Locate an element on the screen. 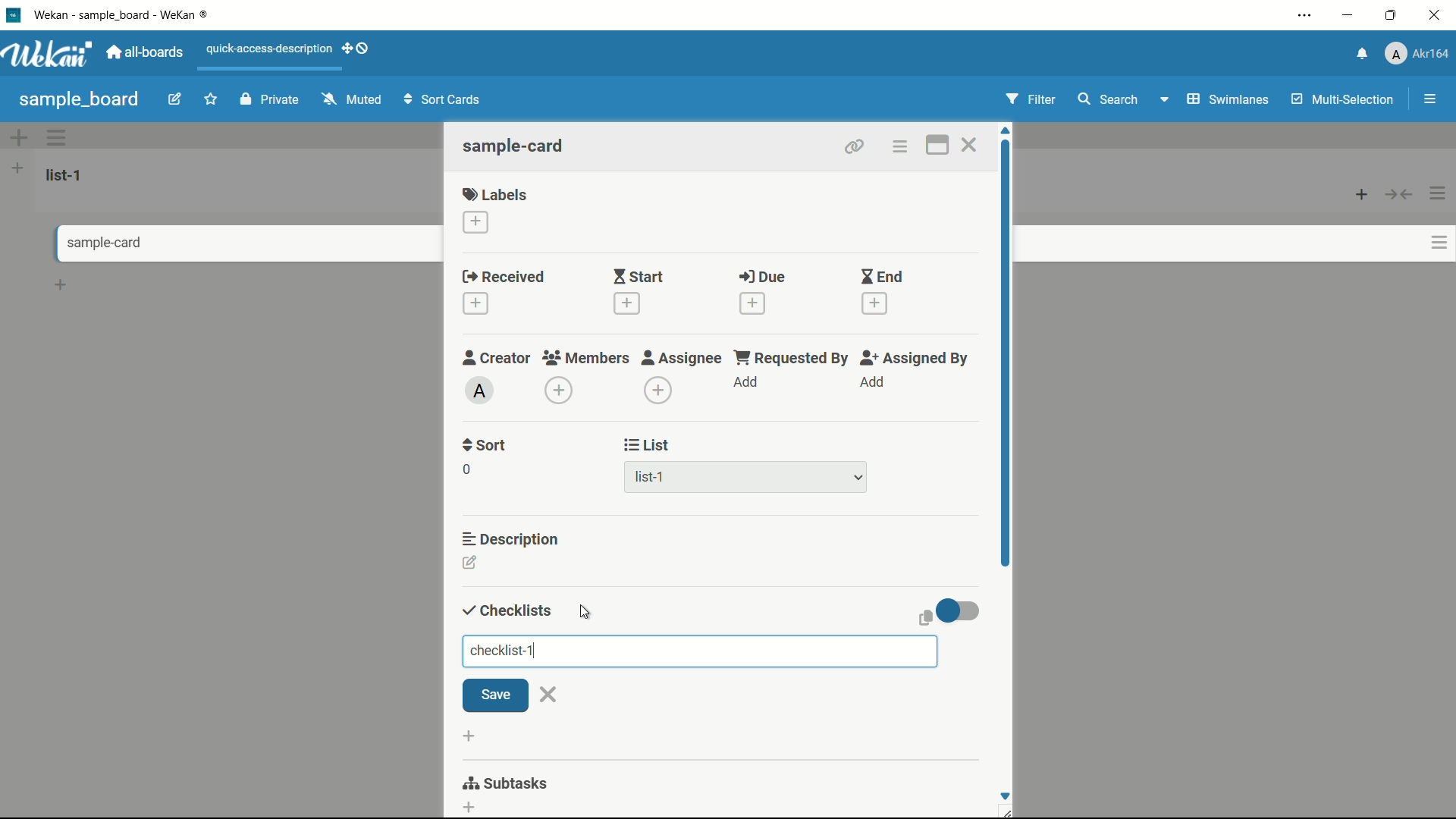  add date is located at coordinates (875, 304).